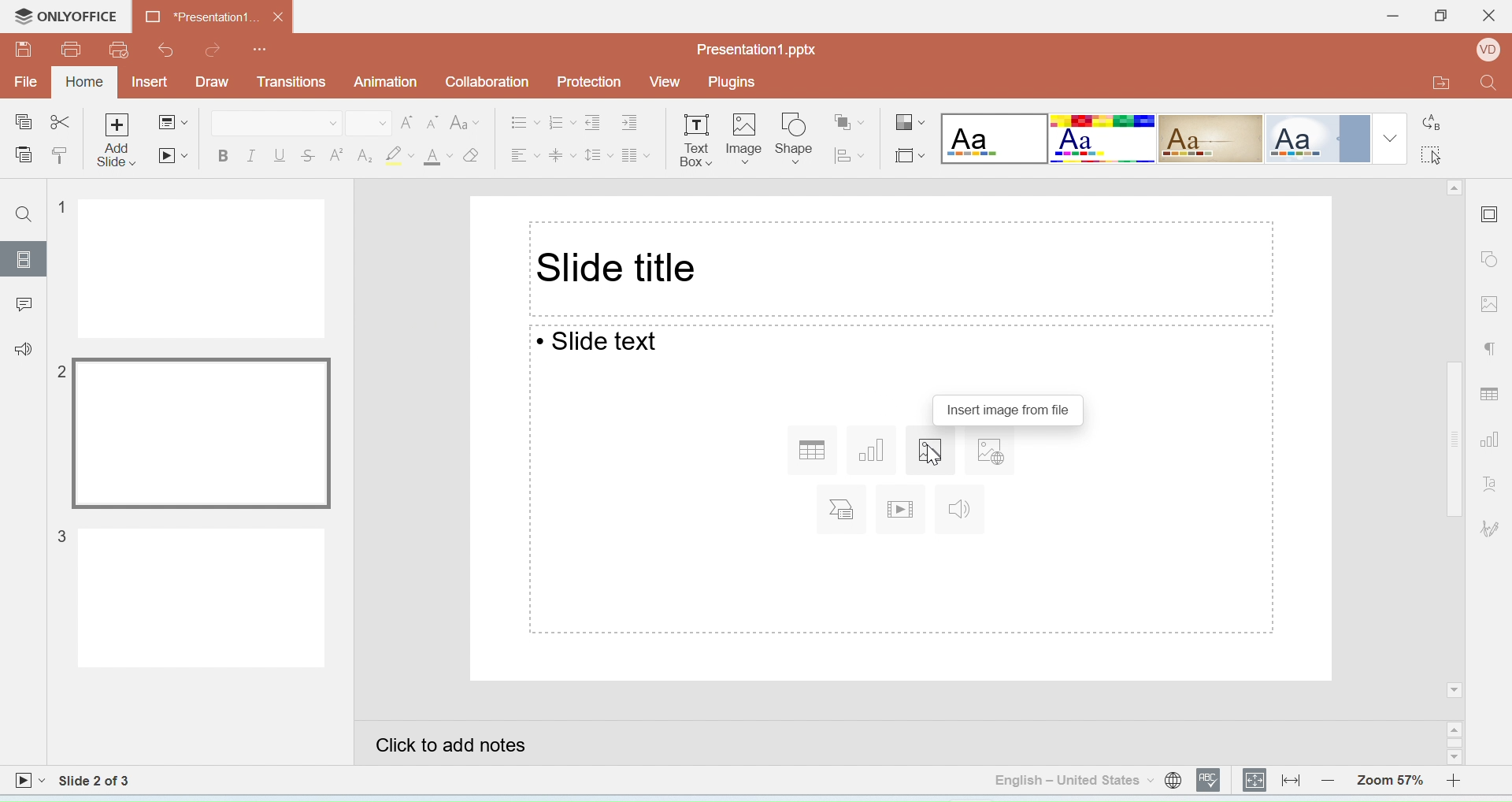 The width and height of the screenshot is (1512, 802). I want to click on Strikethrough, so click(309, 154).